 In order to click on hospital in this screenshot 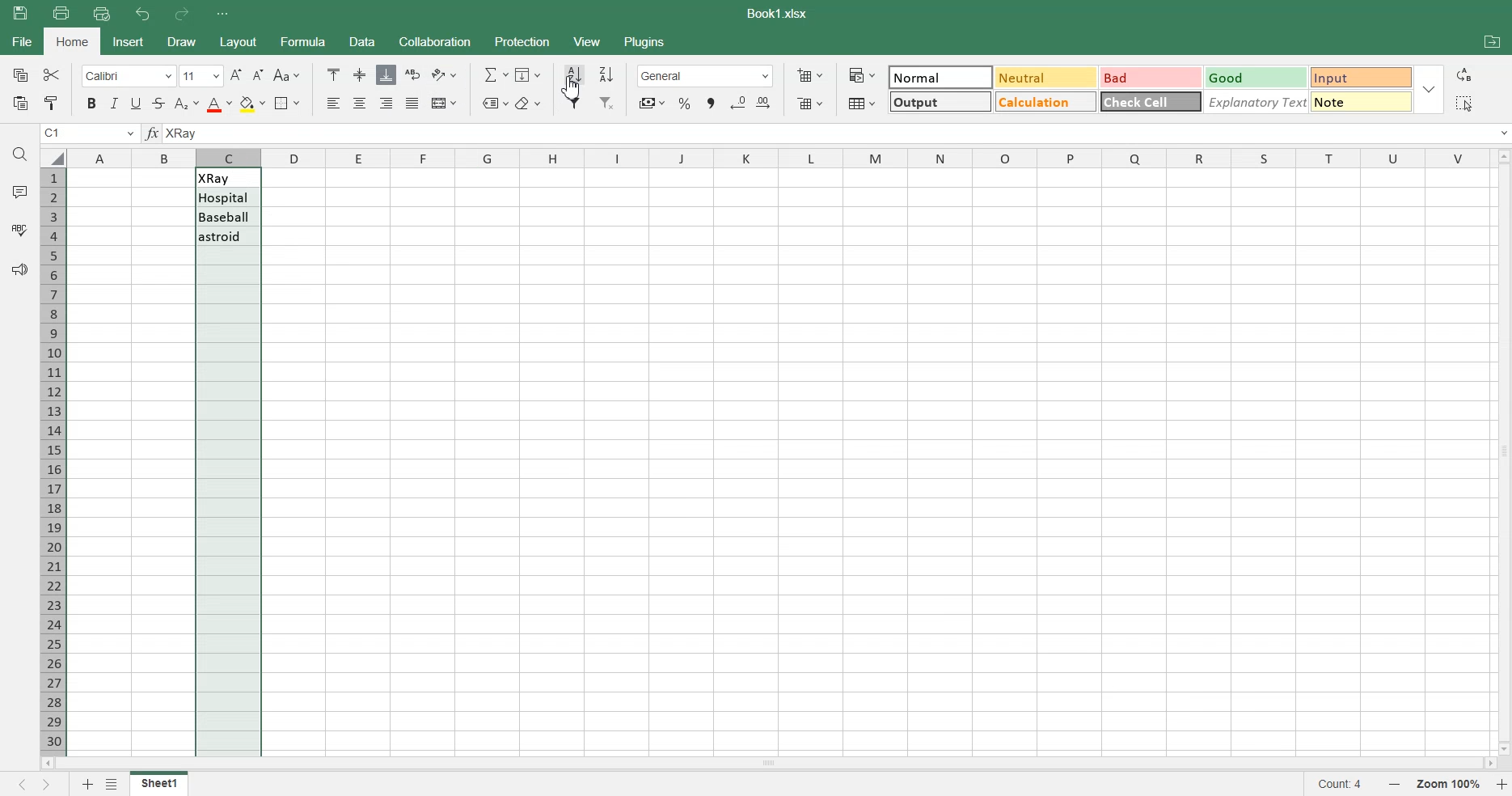, I will do `click(226, 198)`.